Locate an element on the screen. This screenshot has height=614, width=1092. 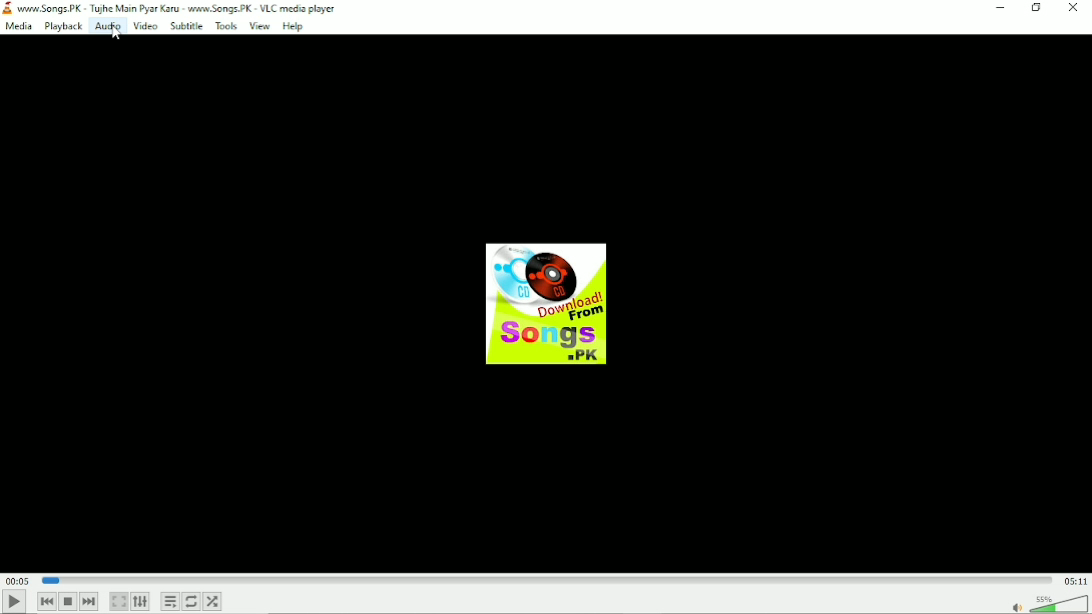
Next is located at coordinates (91, 602).